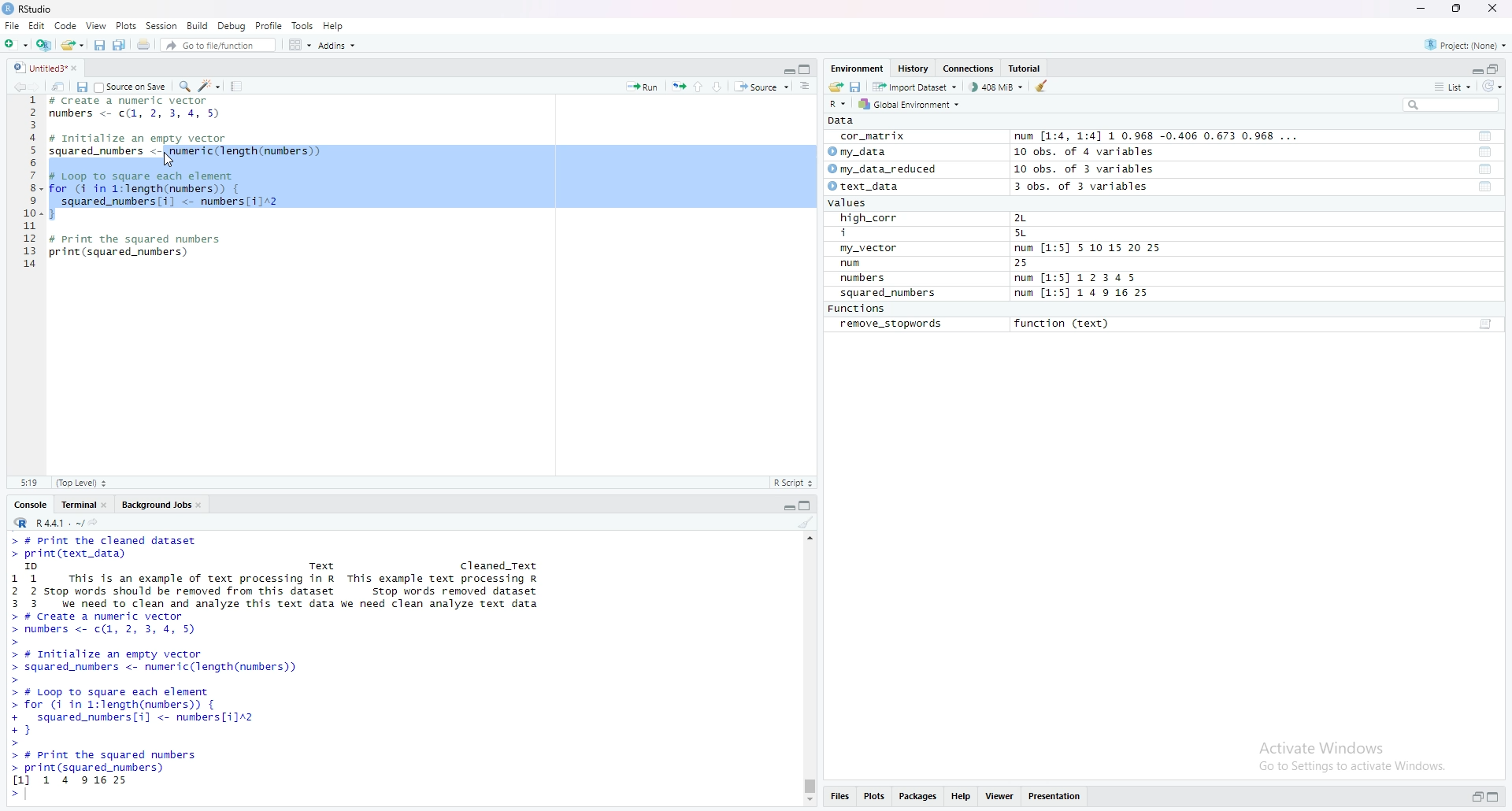  What do you see at coordinates (787, 68) in the screenshot?
I see `minimize` at bounding box center [787, 68].